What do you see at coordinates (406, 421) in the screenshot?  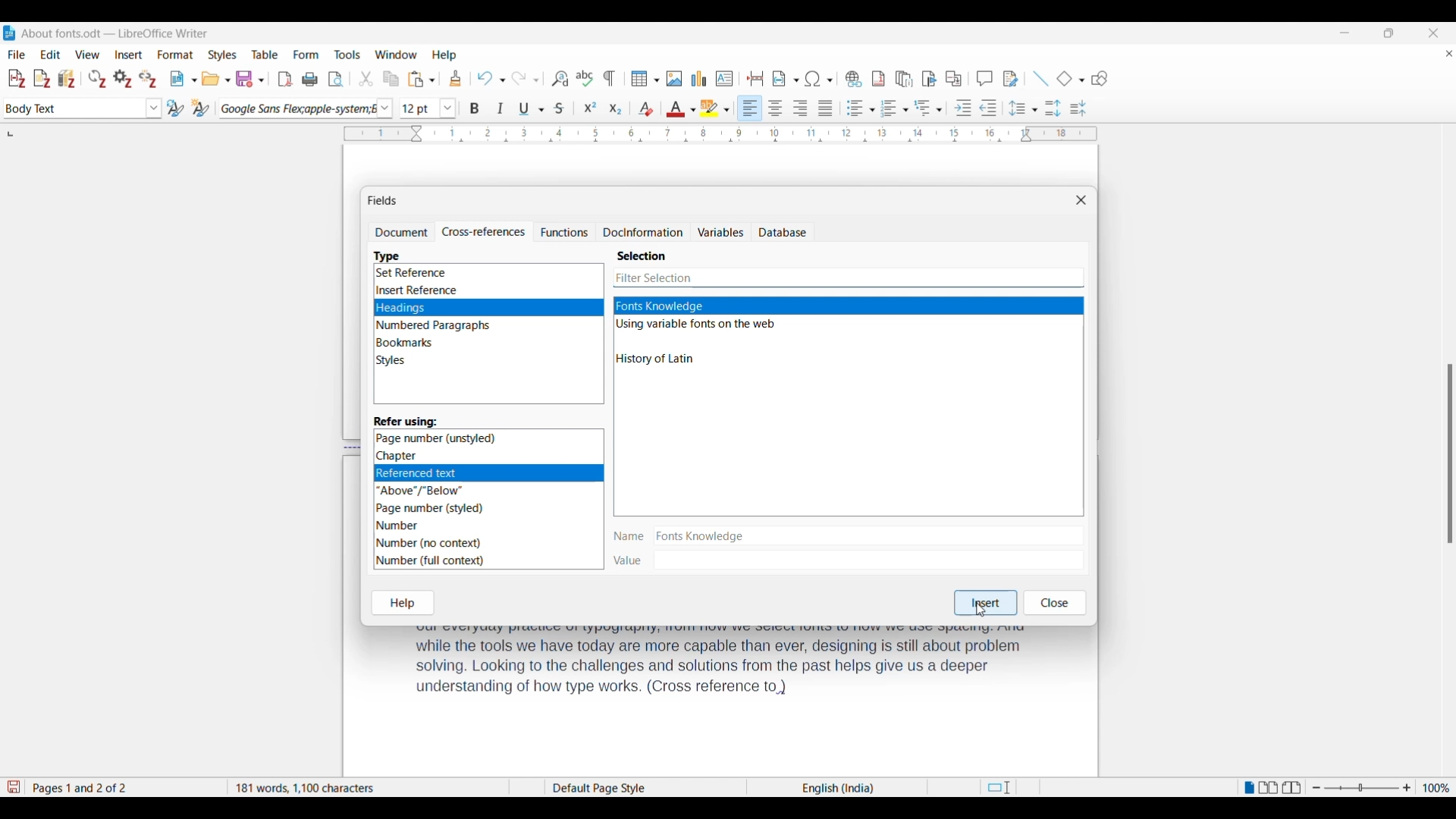 I see `Section title` at bounding box center [406, 421].